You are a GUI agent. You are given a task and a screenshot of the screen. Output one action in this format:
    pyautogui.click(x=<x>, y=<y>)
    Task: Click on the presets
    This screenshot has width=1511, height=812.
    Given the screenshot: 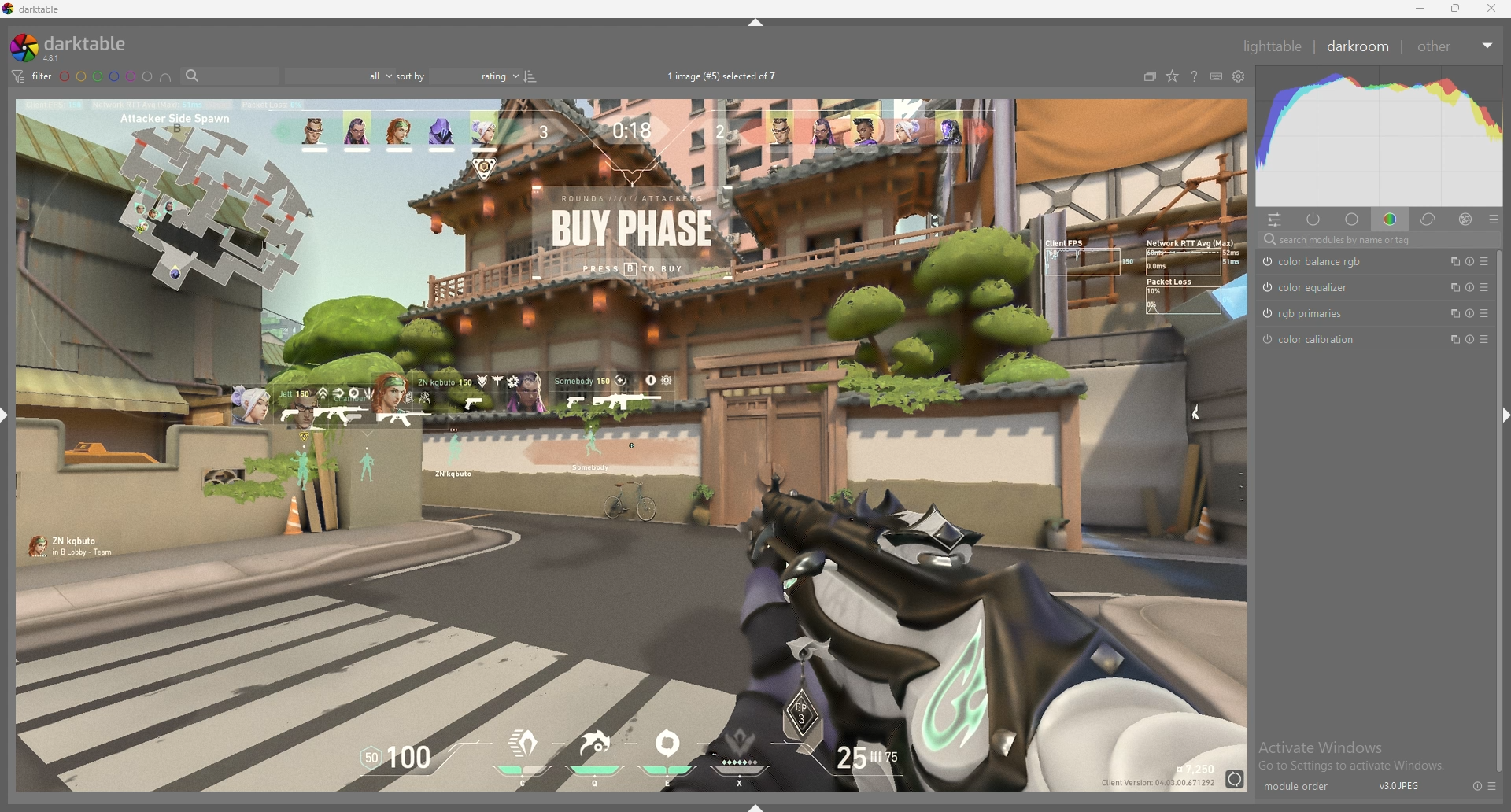 What is the action you would take?
    pyautogui.click(x=1484, y=286)
    